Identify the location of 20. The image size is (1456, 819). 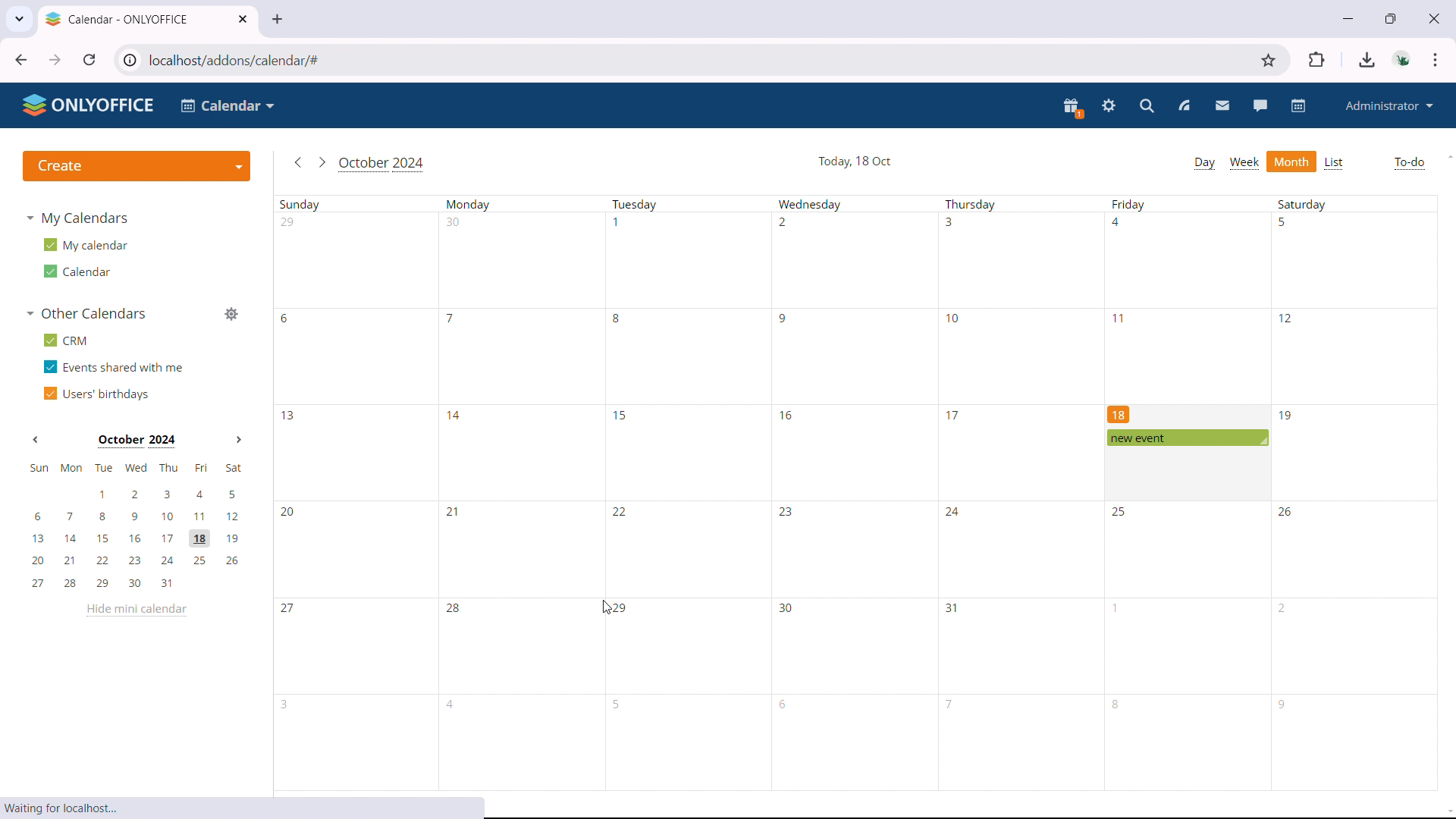
(290, 513).